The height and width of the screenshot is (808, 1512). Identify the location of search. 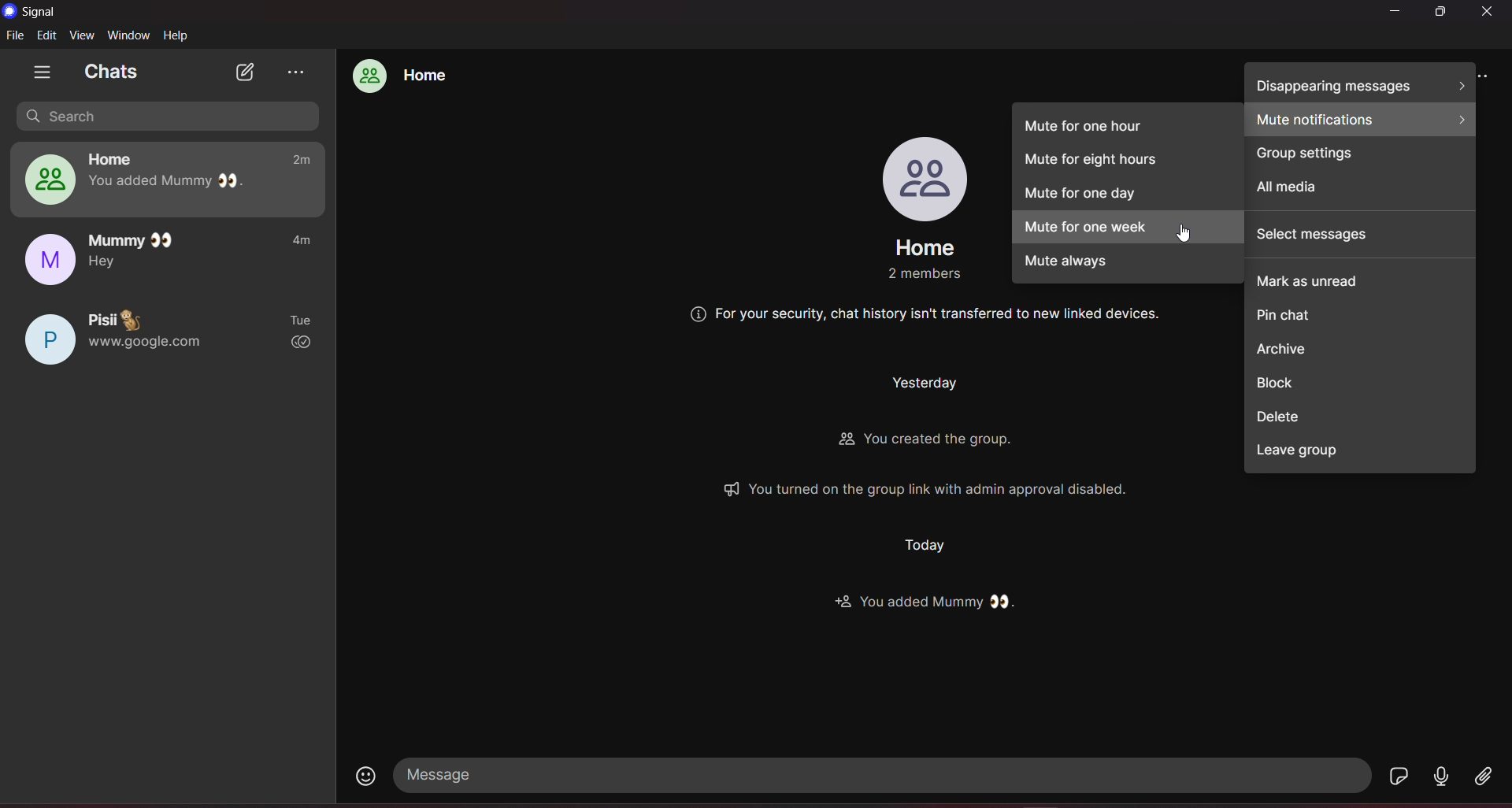
(169, 115).